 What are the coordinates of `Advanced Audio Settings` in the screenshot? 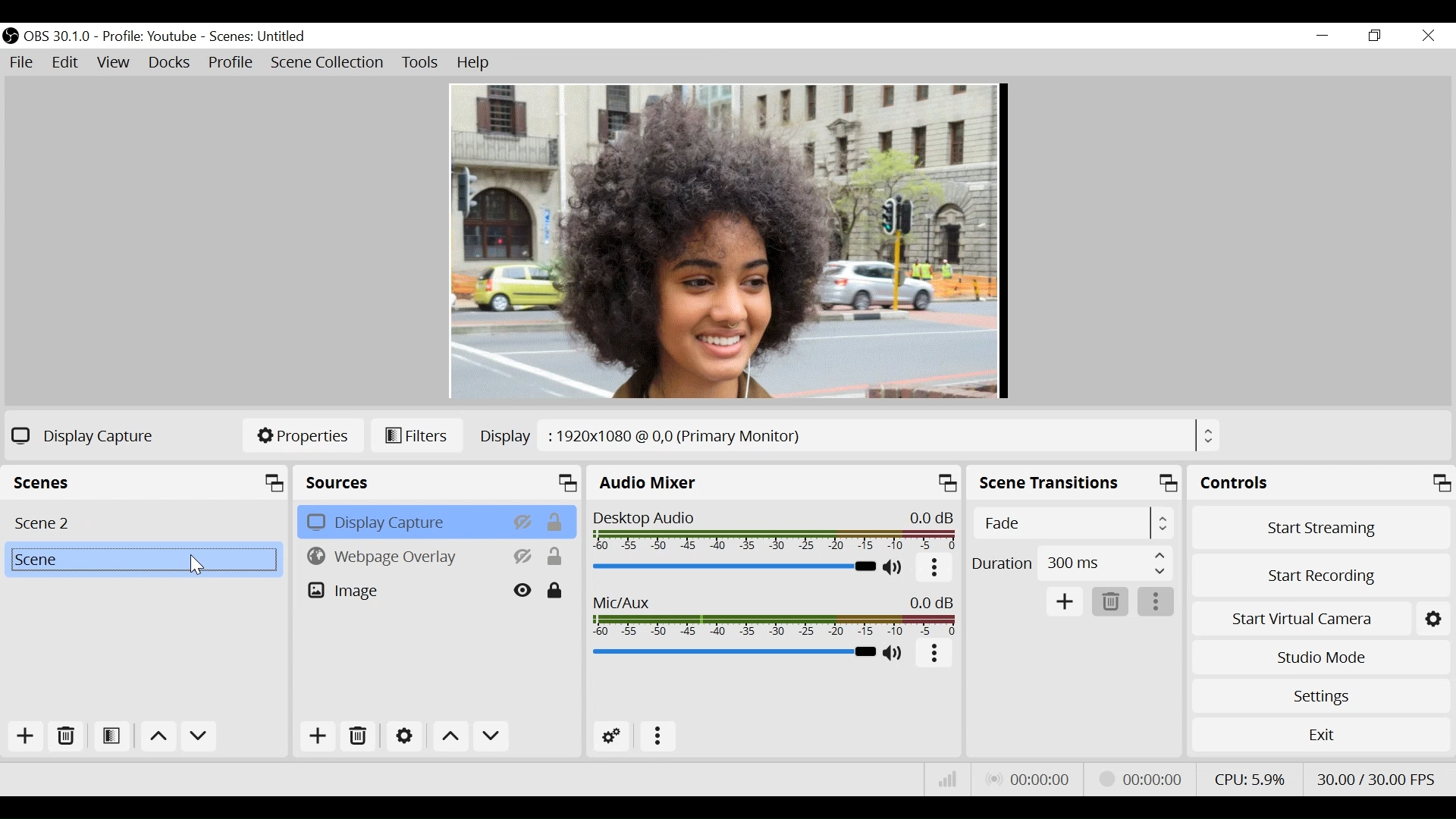 It's located at (612, 736).